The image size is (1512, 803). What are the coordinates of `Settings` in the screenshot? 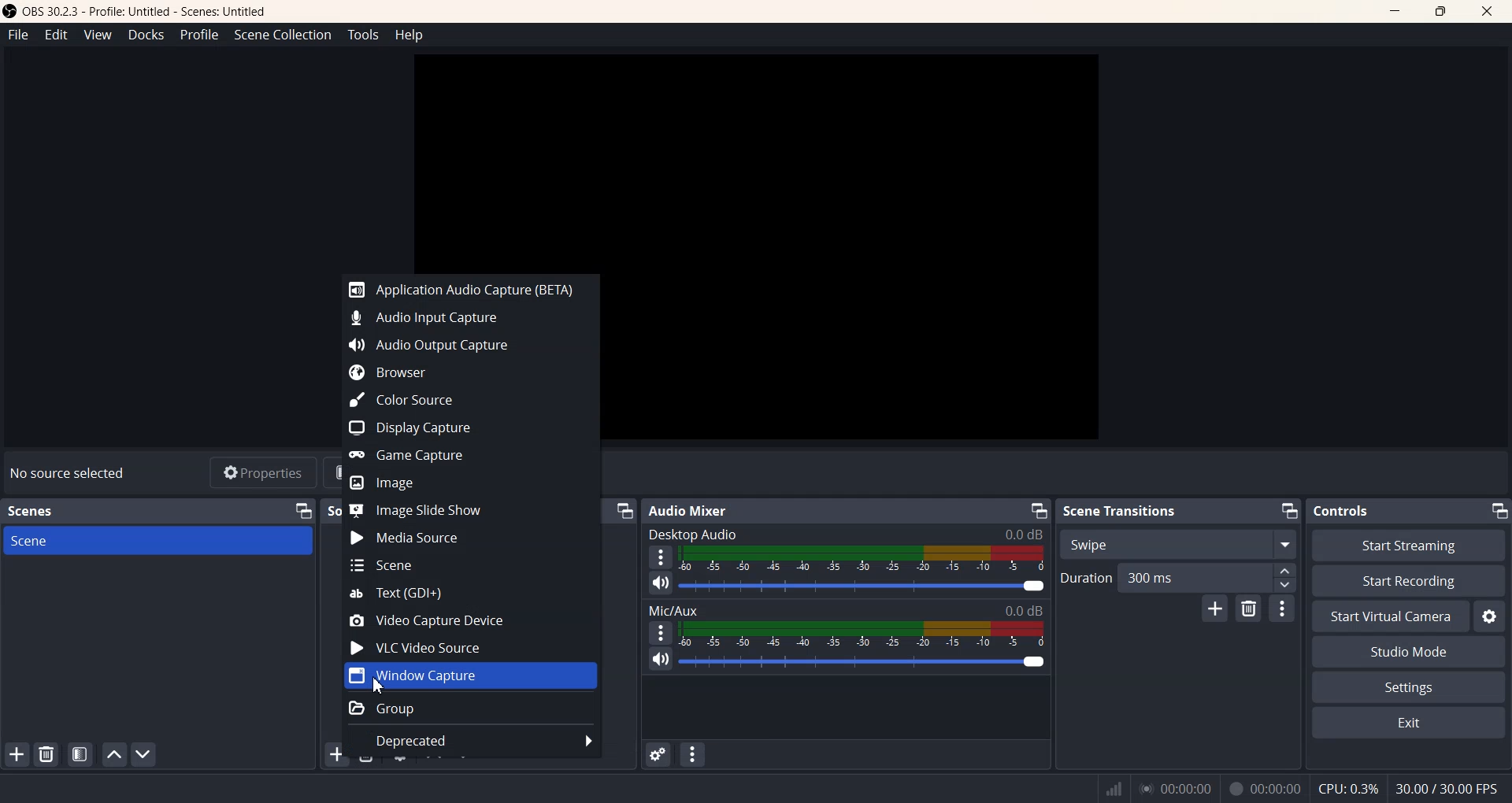 It's located at (1488, 616).